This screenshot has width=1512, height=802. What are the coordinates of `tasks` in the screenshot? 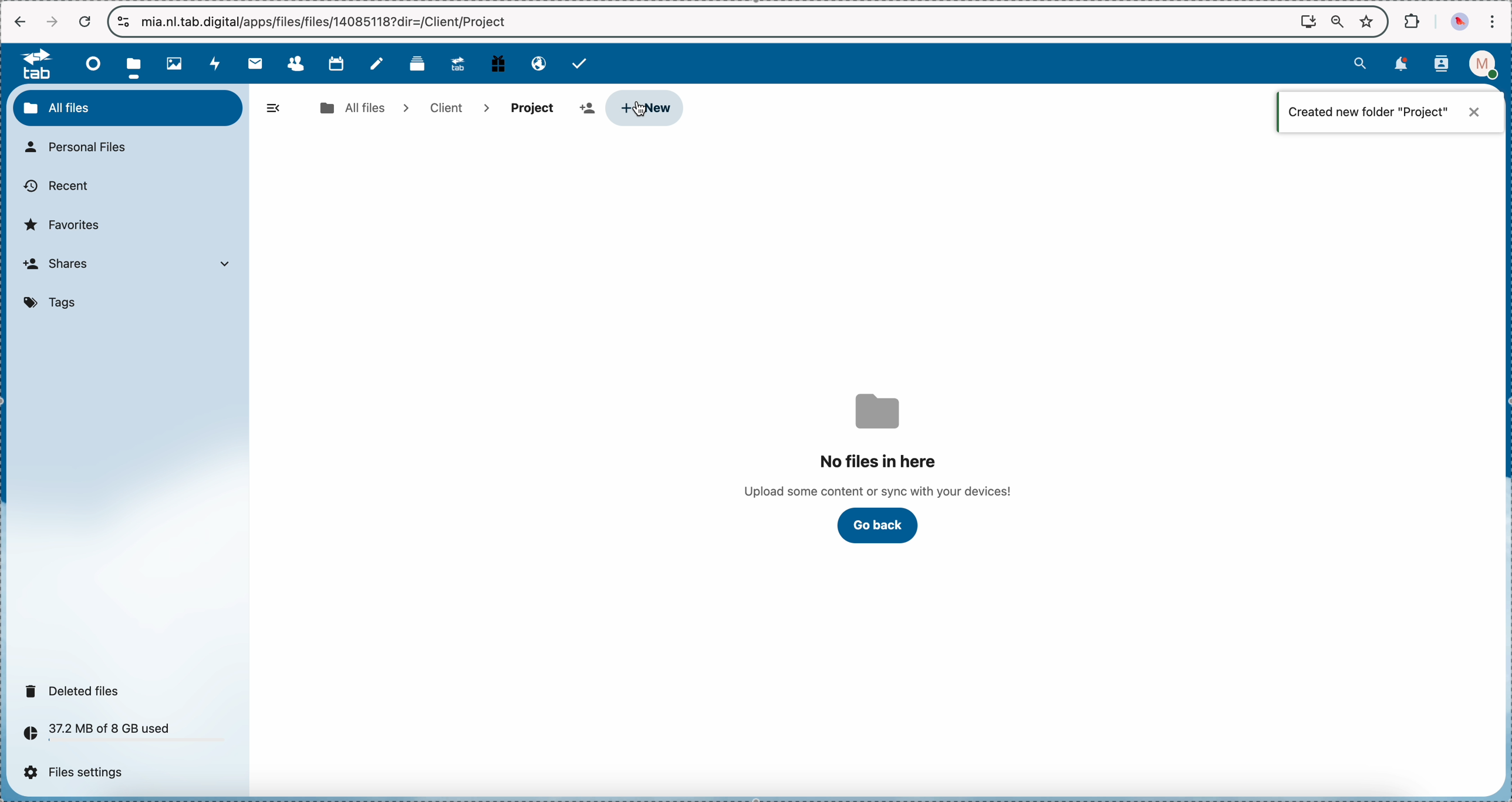 It's located at (581, 63).